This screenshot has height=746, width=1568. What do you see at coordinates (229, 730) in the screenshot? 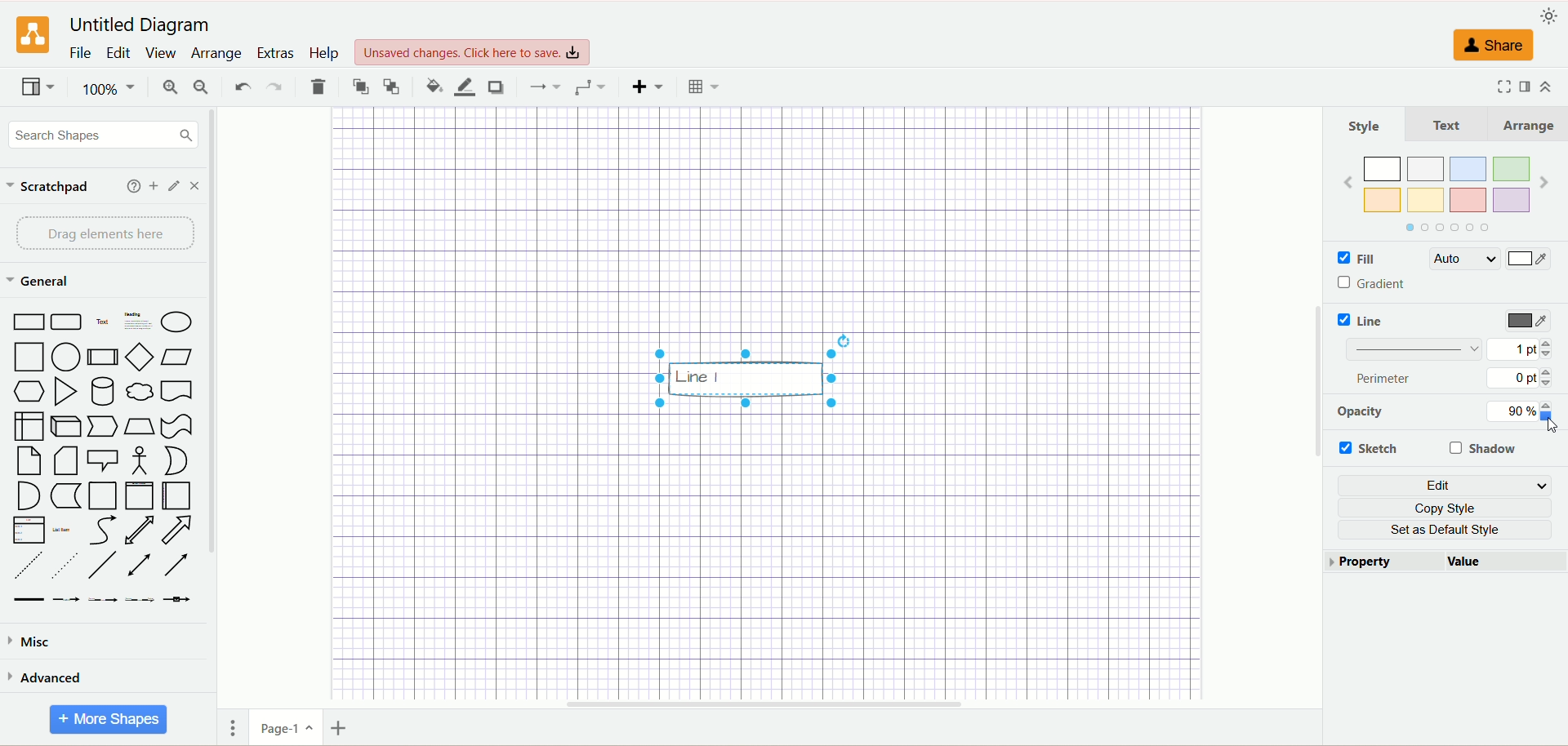
I see `pages` at bounding box center [229, 730].